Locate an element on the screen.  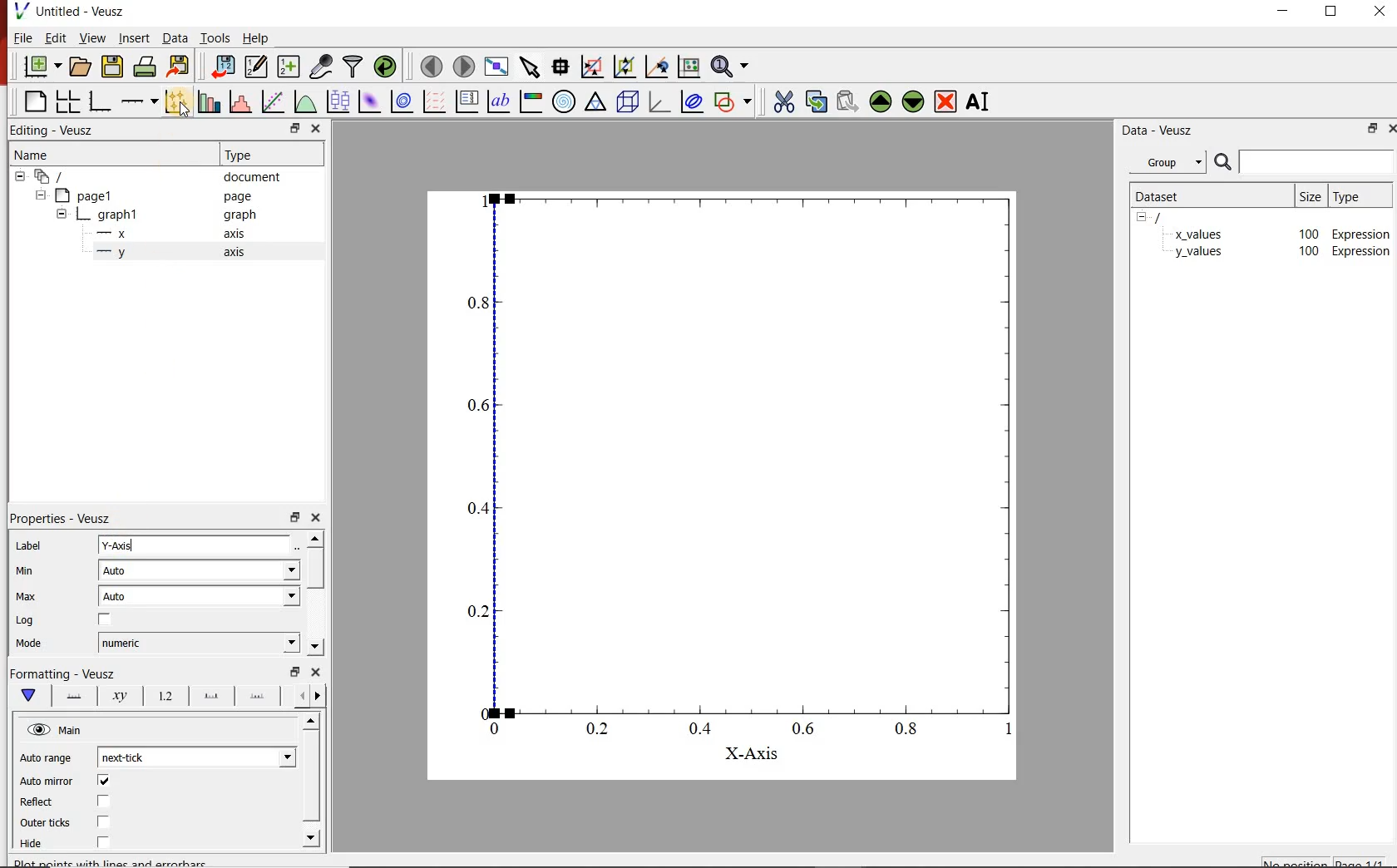
restore down is located at coordinates (294, 127).